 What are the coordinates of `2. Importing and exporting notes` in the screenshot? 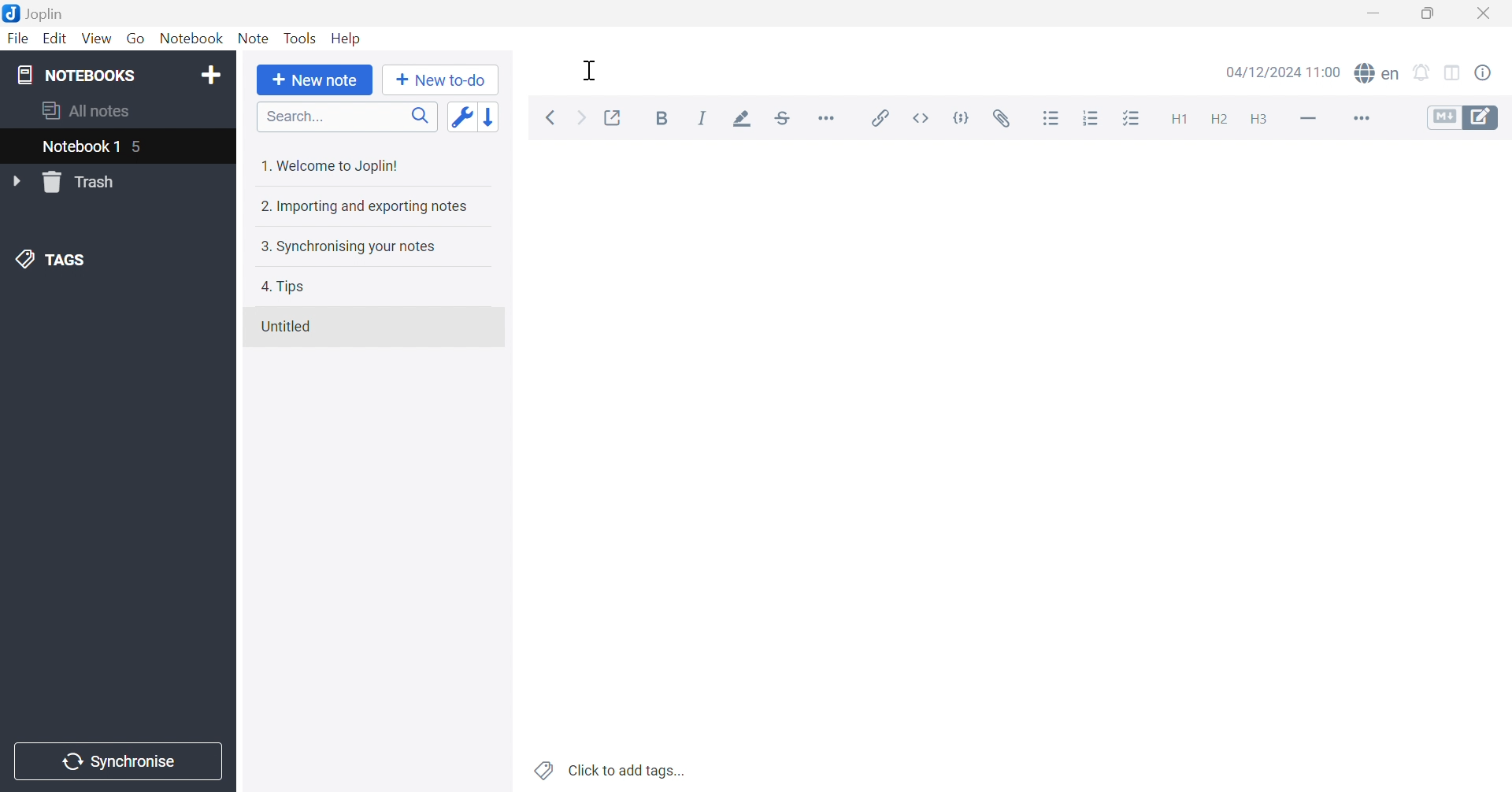 It's located at (367, 208).